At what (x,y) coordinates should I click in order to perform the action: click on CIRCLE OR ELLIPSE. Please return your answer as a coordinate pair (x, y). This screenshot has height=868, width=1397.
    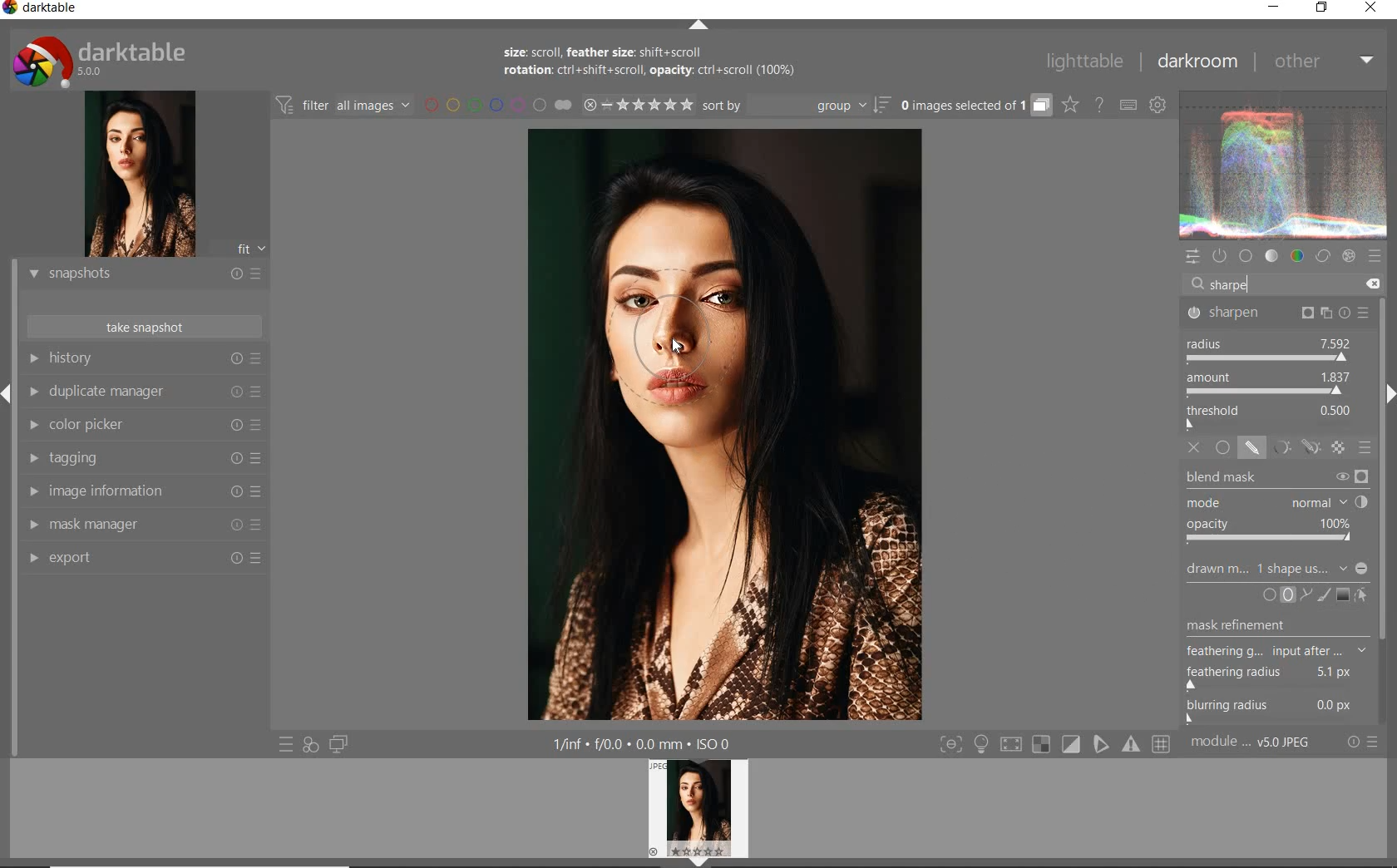
    Looking at the image, I should click on (1275, 596).